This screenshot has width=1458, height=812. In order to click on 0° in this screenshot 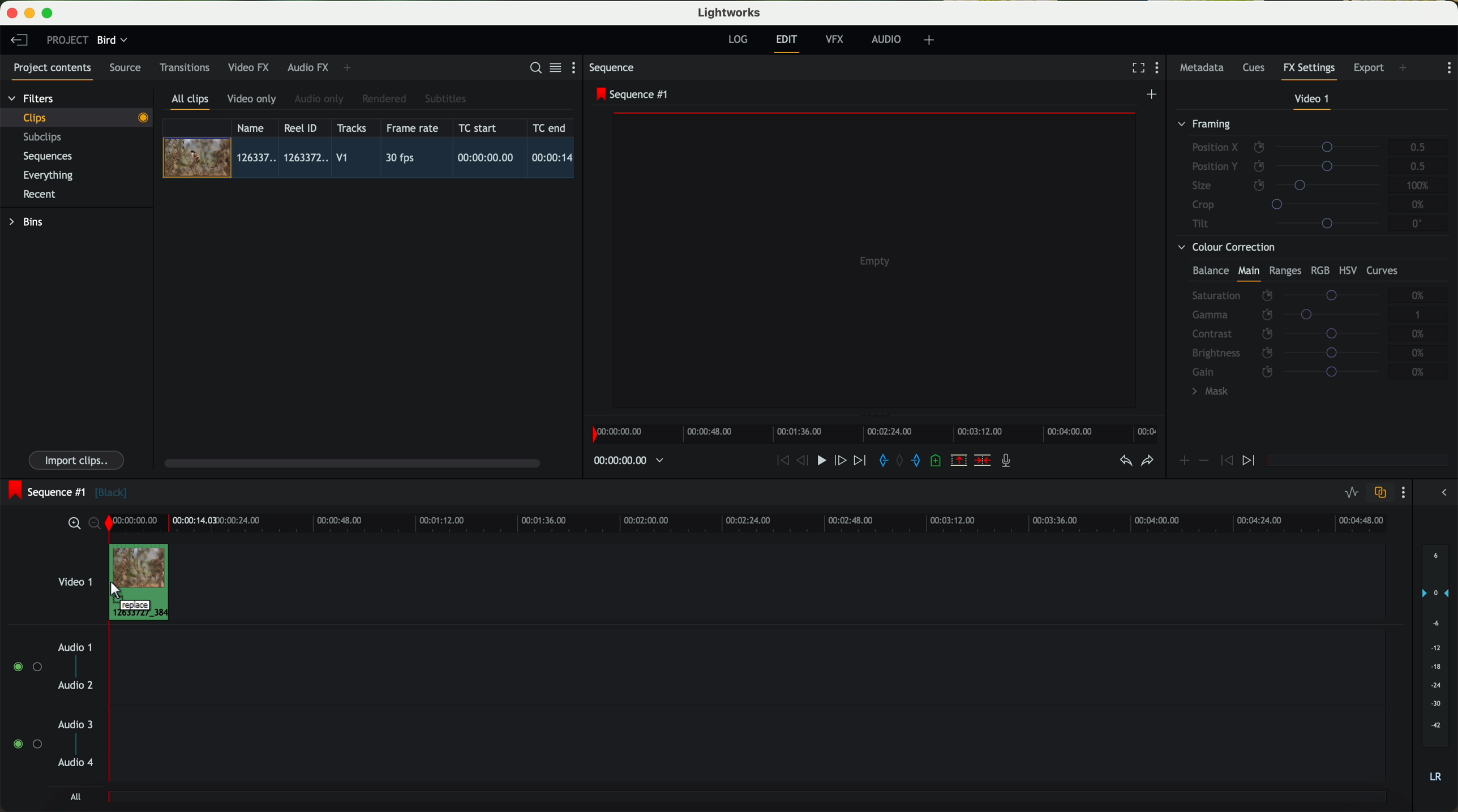, I will do `click(1418, 223)`.